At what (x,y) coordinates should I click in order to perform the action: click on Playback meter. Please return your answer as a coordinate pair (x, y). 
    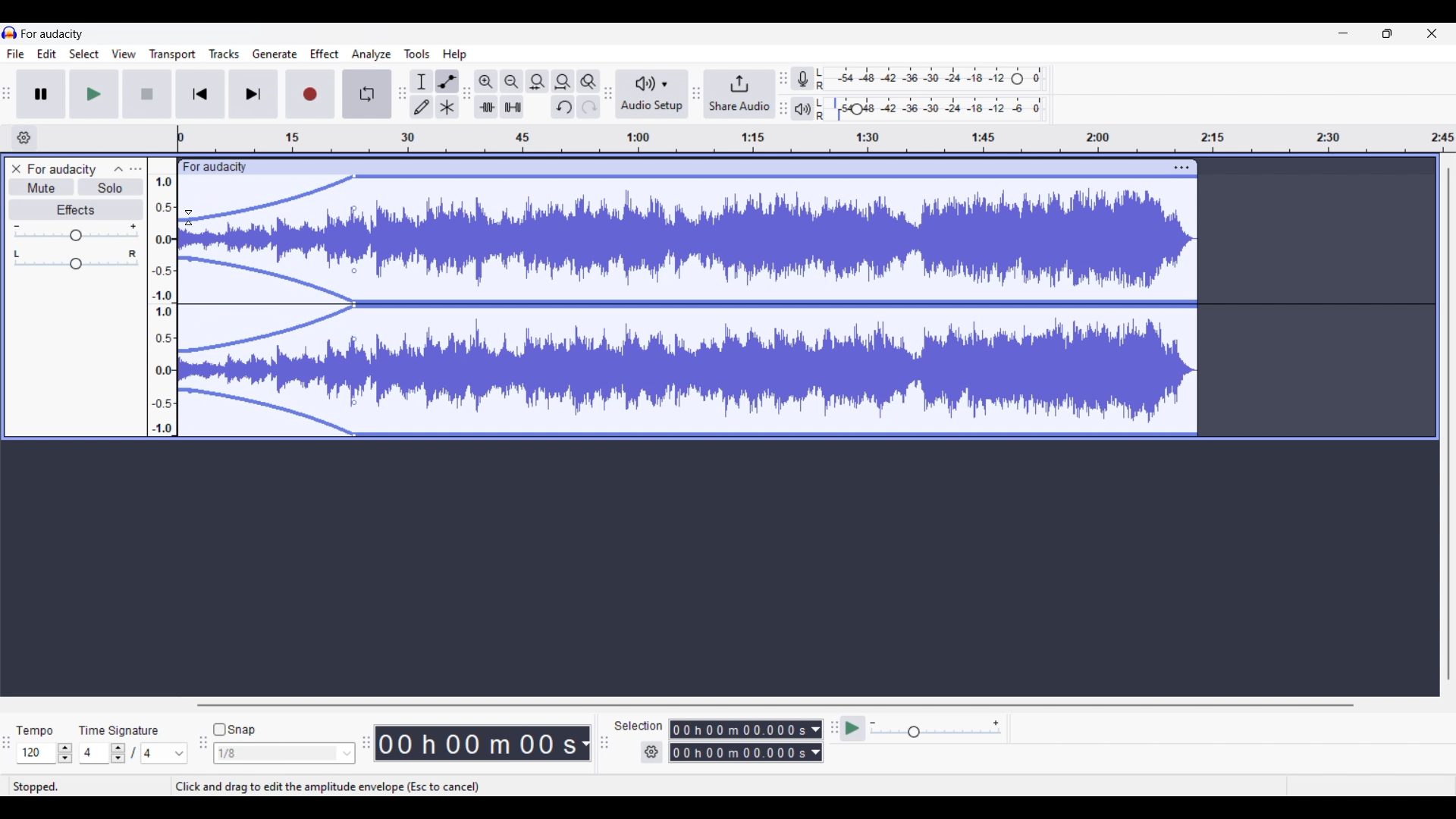
    Looking at the image, I should click on (802, 108).